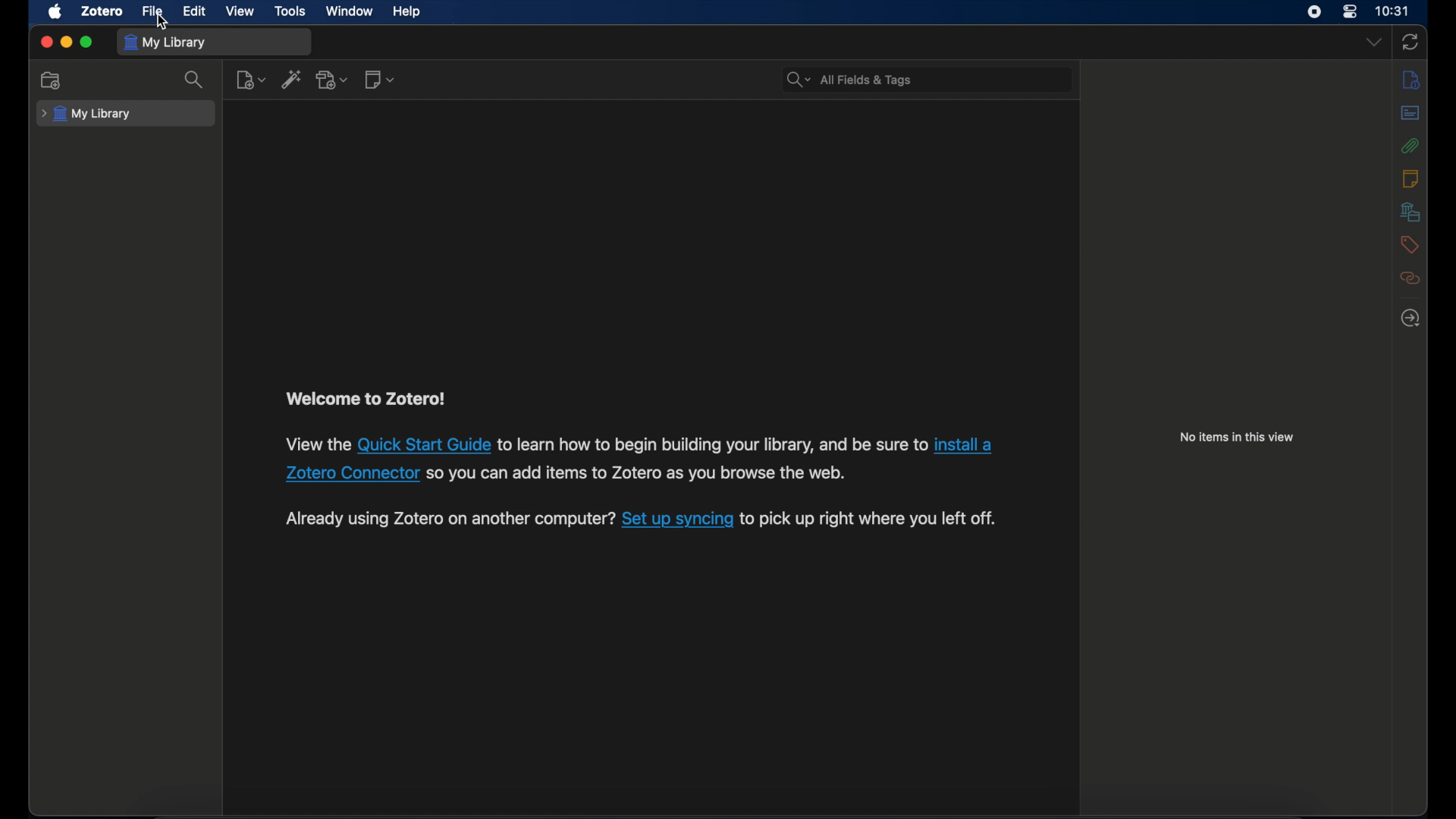  Describe the element at coordinates (1410, 244) in the screenshot. I see `tags` at that location.